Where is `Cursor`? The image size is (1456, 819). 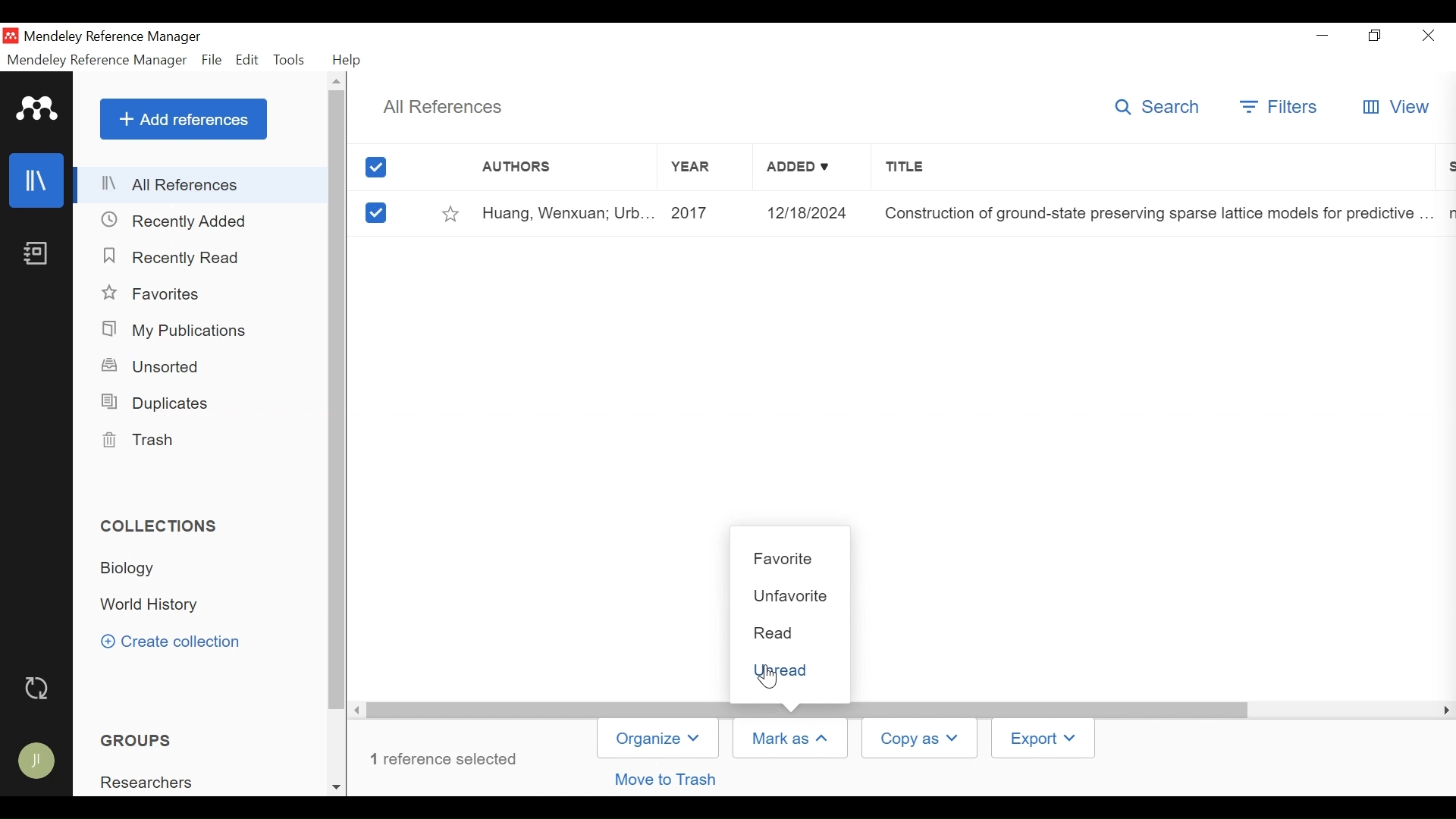 Cursor is located at coordinates (770, 679).